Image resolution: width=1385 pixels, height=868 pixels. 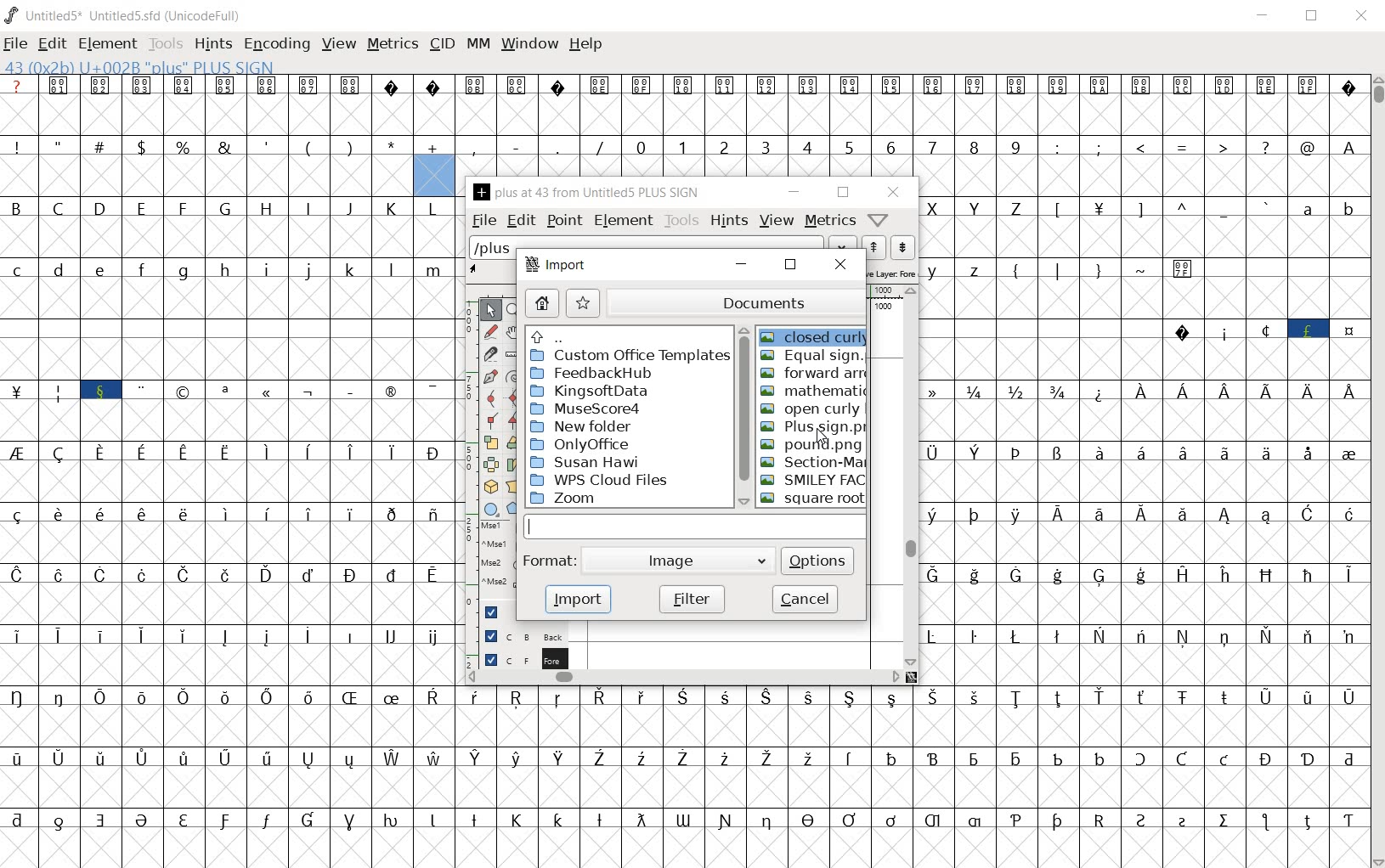 I want to click on filter, so click(x=691, y=600).